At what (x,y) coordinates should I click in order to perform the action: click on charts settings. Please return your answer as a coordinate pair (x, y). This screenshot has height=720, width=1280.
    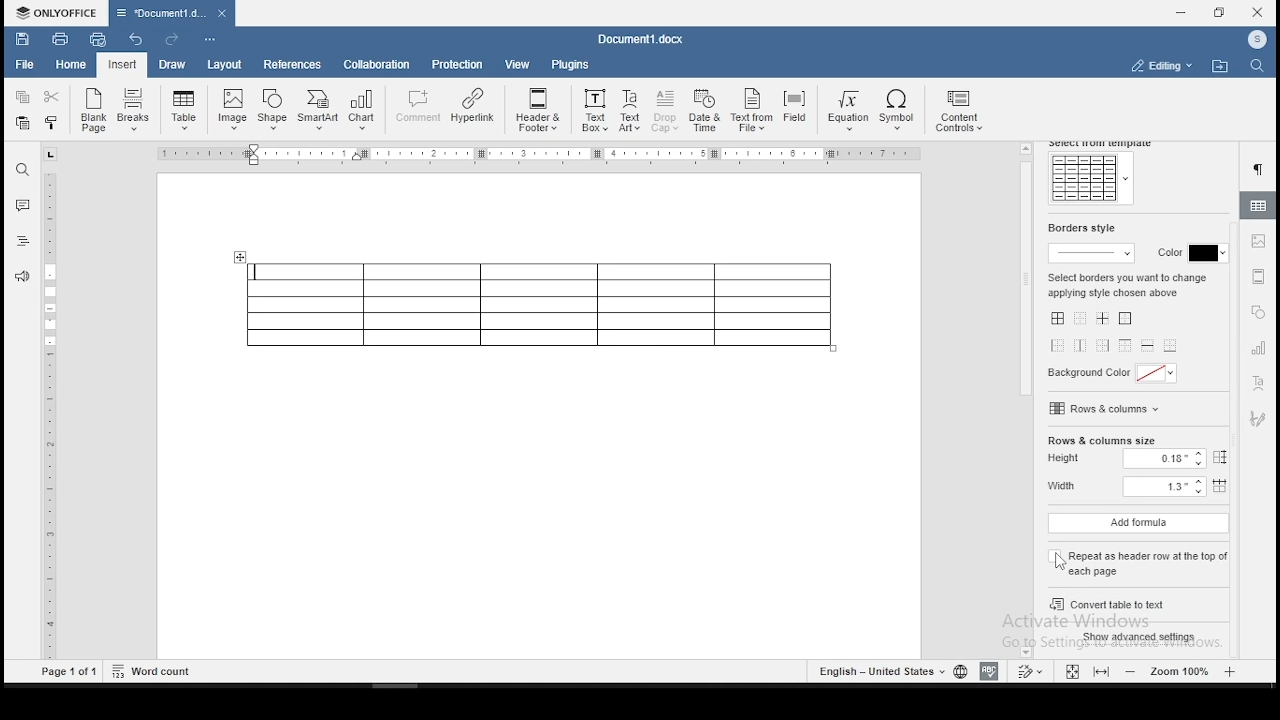
    Looking at the image, I should click on (1260, 348).